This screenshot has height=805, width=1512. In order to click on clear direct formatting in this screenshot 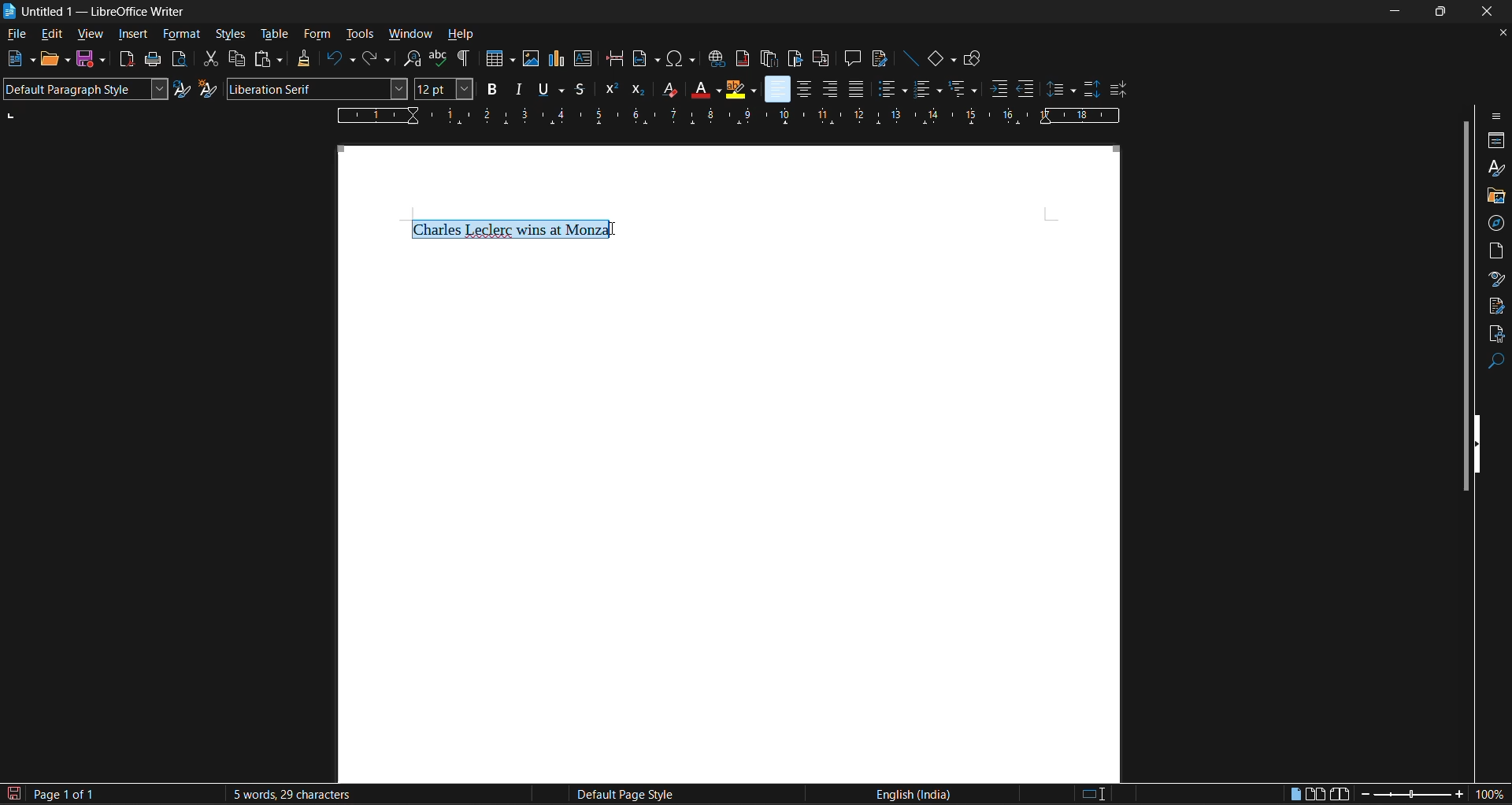, I will do `click(666, 88)`.